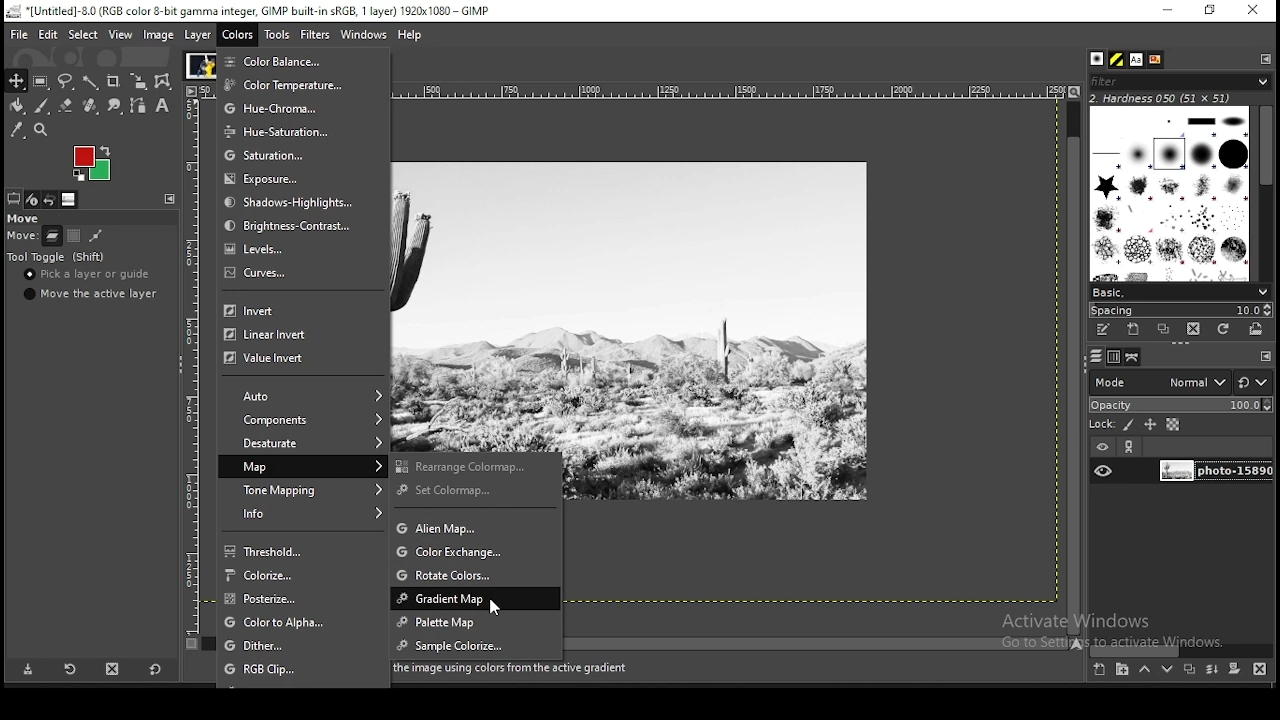 This screenshot has width=1280, height=720. I want to click on , so click(522, 669).